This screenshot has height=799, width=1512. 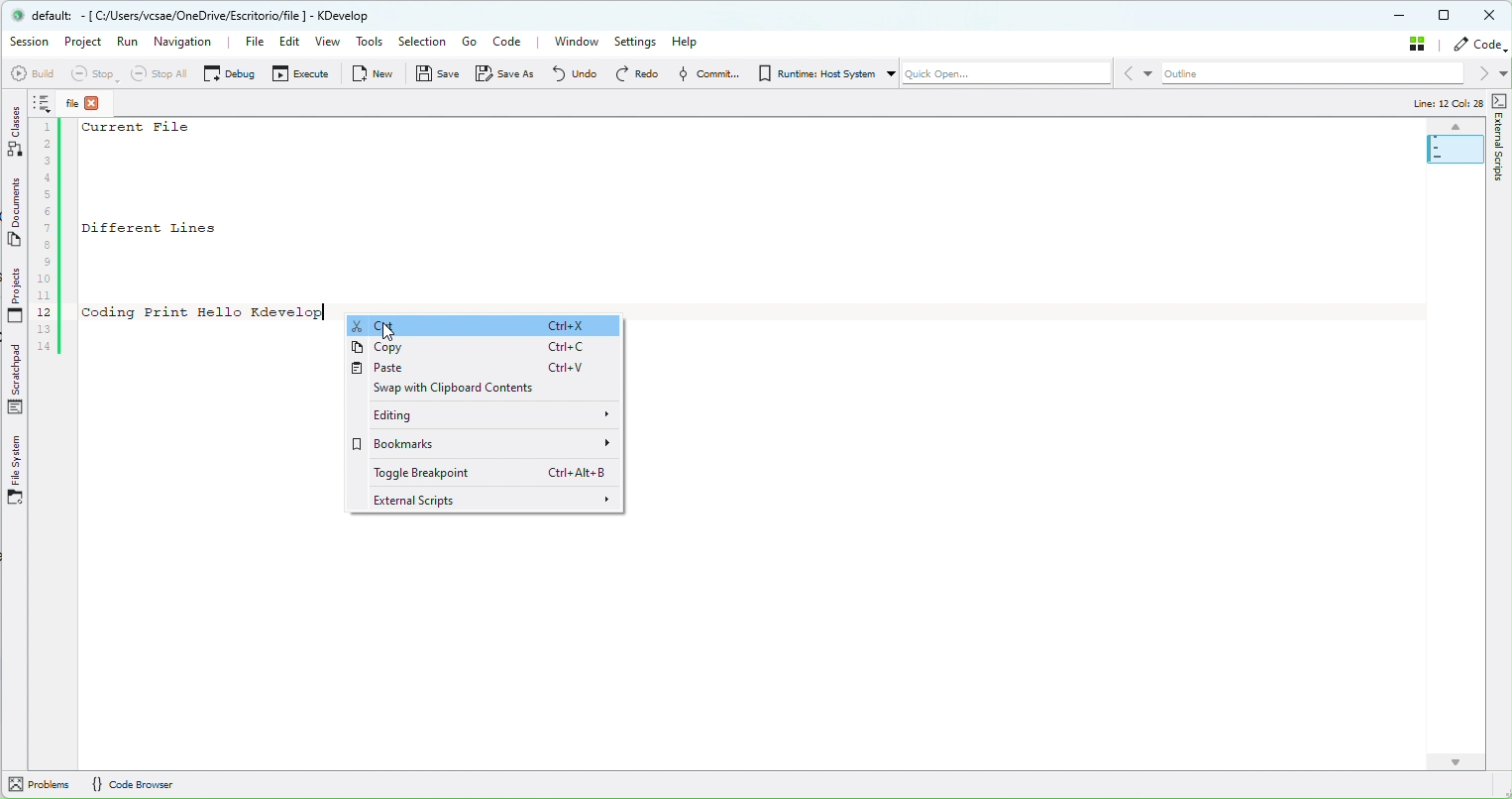 What do you see at coordinates (489, 501) in the screenshot?
I see `external scripts` at bounding box center [489, 501].